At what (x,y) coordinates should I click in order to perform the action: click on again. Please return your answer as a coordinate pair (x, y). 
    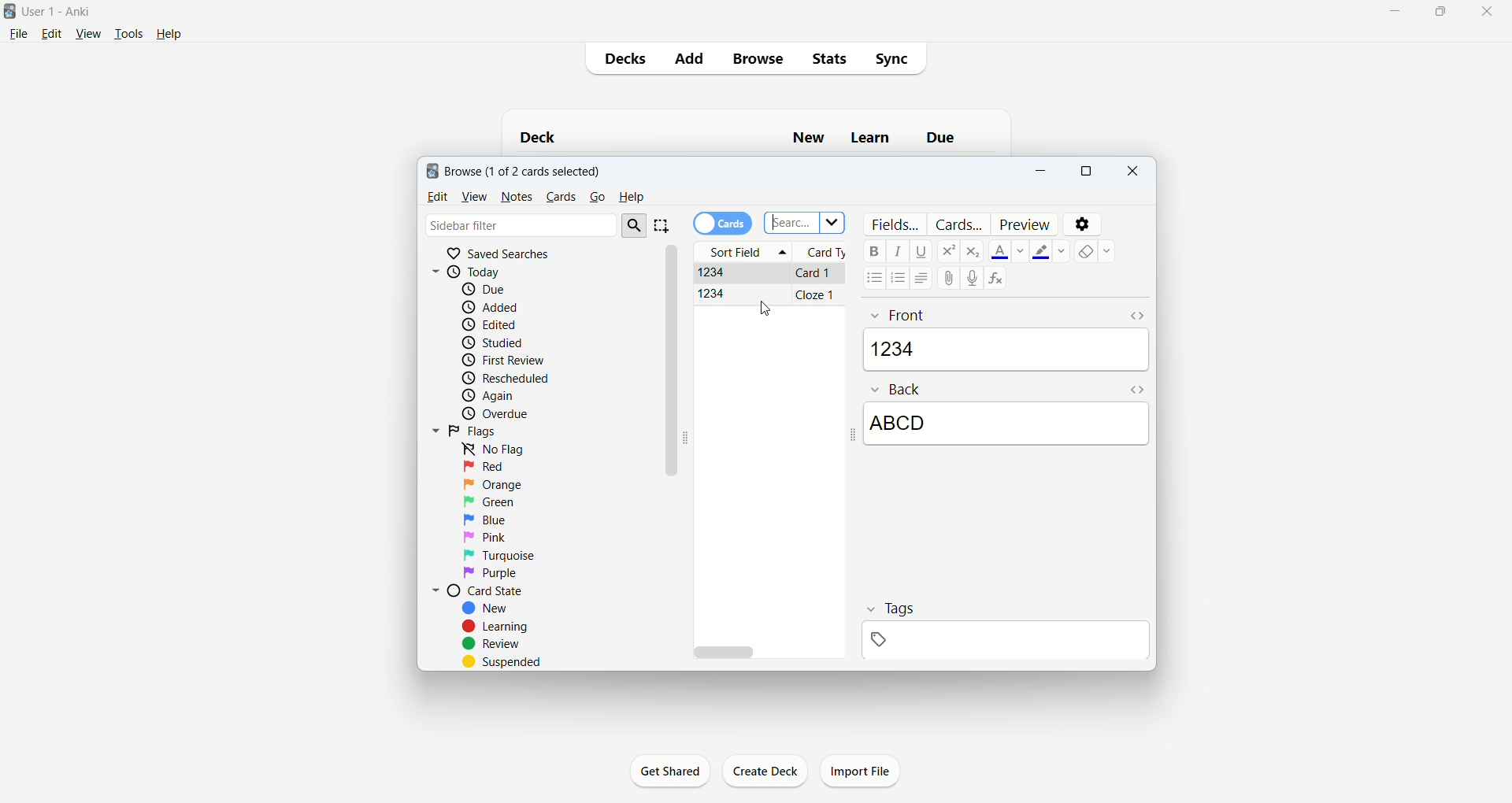
    Looking at the image, I should click on (487, 395).